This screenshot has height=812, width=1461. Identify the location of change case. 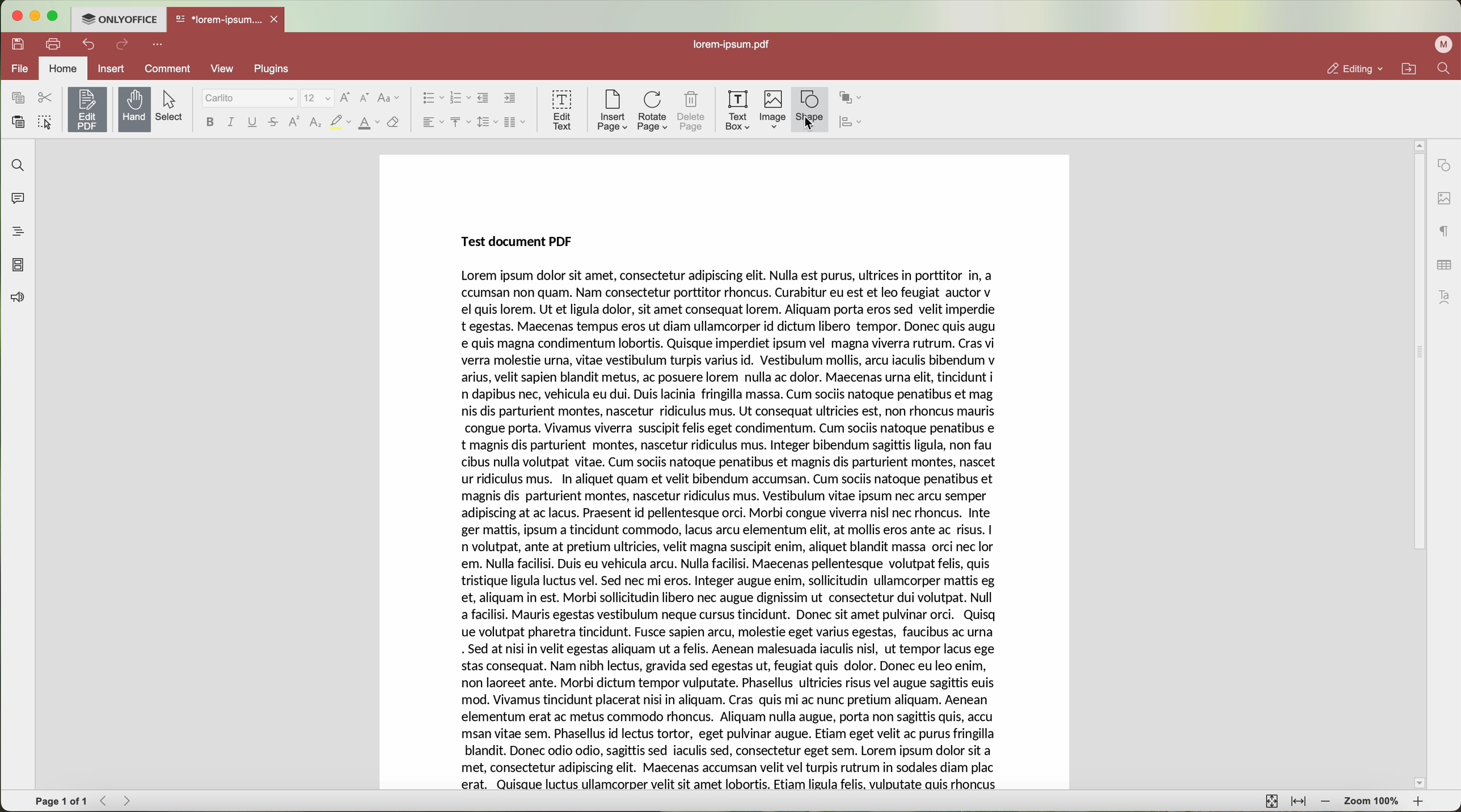
(389, 98).